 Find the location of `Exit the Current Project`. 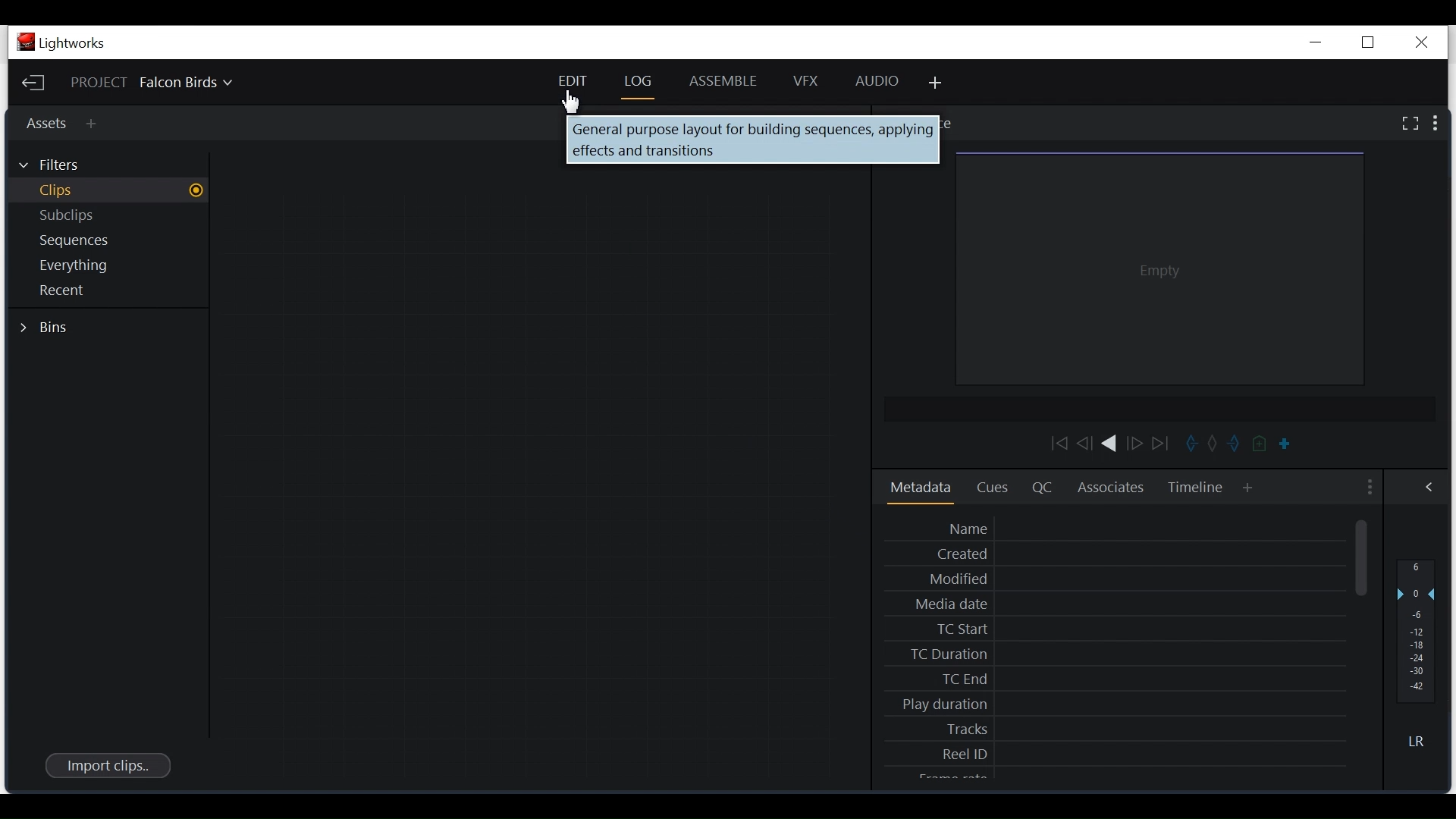

Exit the Current Project is located at coordinates (34, 83).